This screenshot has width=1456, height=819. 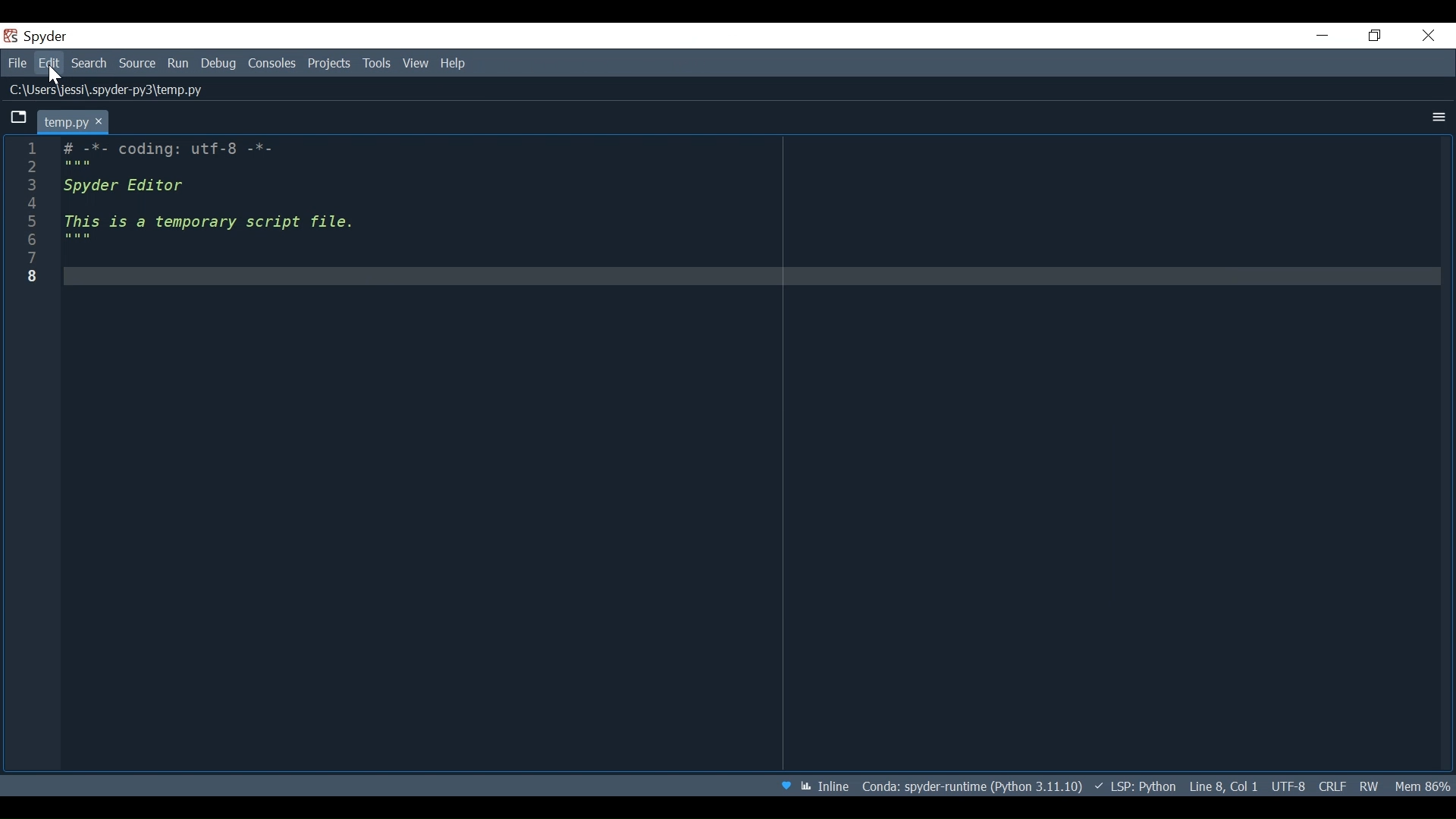 I want to click on View, so click(x=416, y=64).